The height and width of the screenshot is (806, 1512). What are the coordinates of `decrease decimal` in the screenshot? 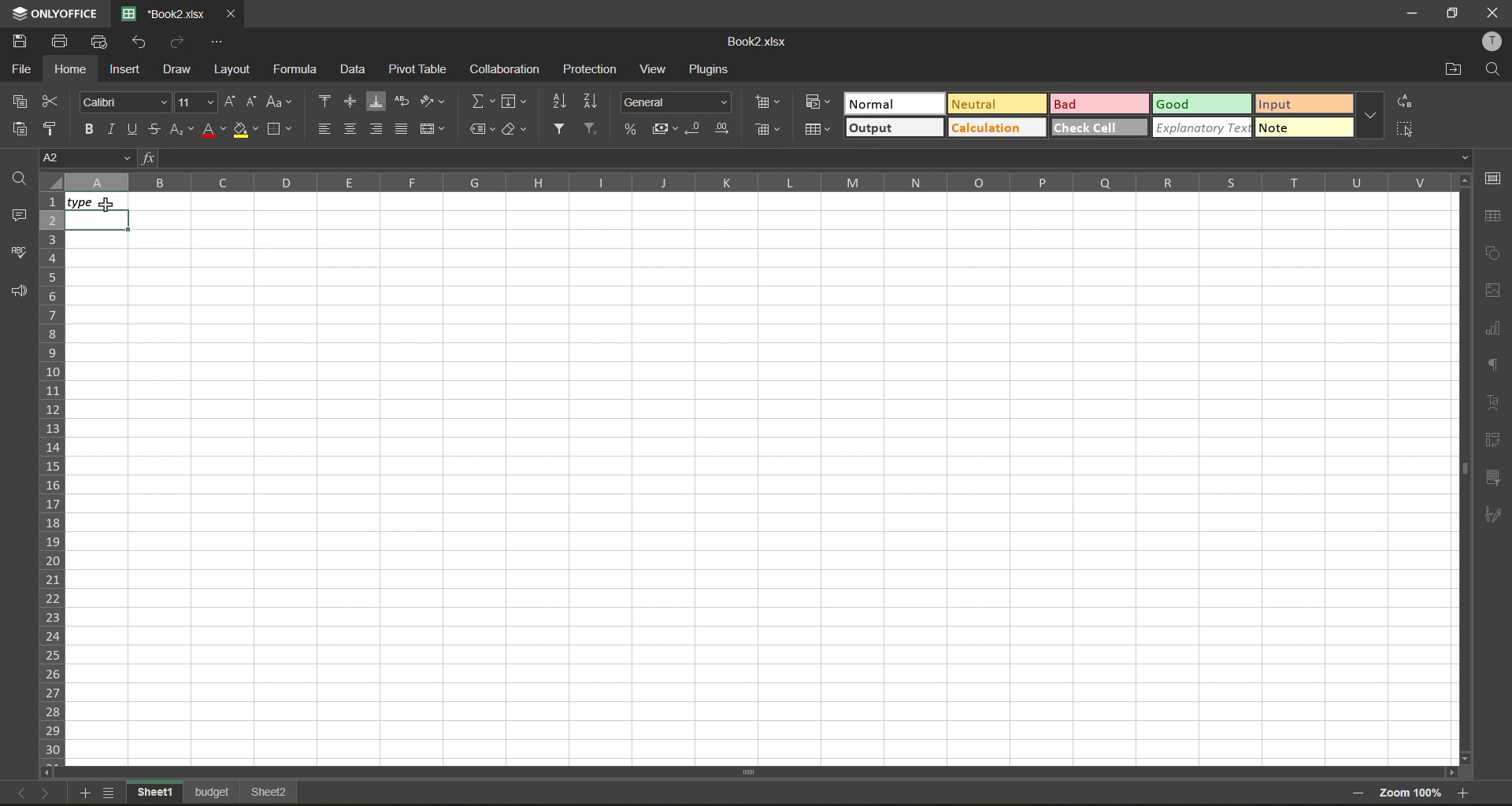 It's located at (695, 129).